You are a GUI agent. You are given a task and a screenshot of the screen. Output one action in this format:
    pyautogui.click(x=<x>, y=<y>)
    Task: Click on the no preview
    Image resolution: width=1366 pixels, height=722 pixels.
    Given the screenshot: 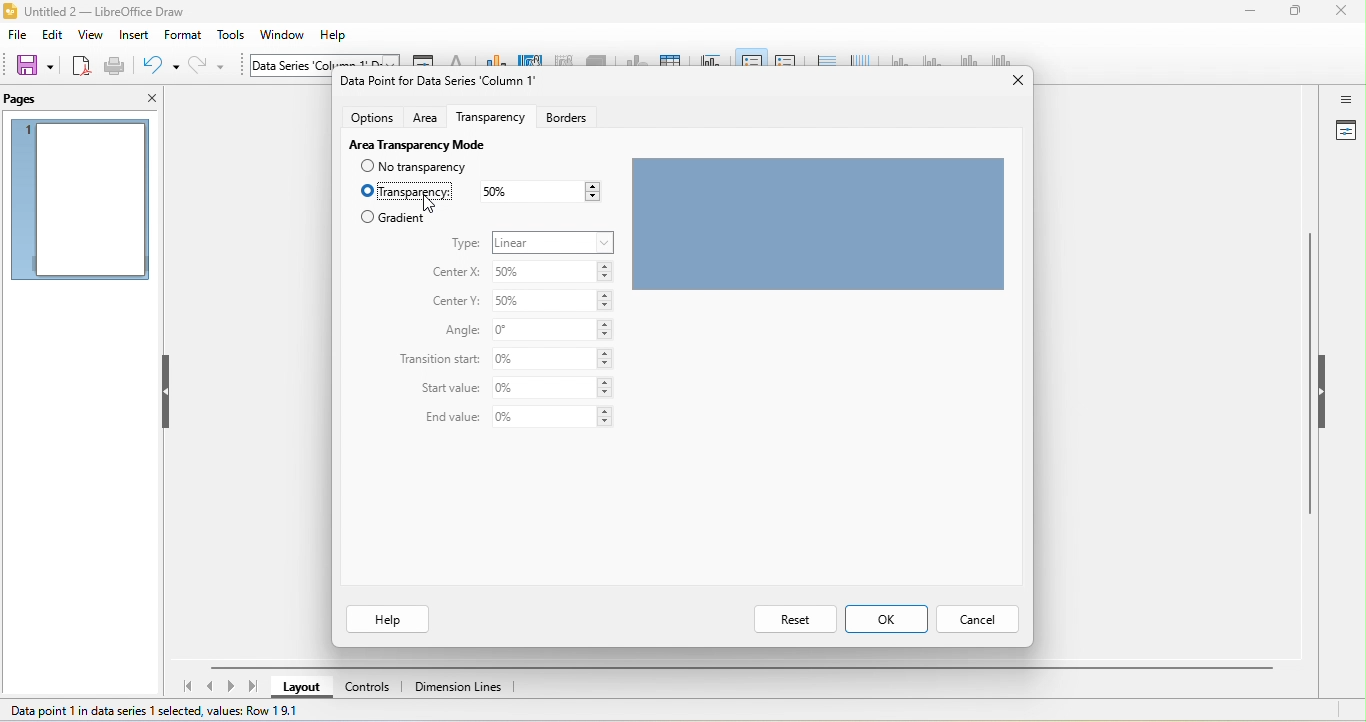 What is the action you would take?
    pyautogui.click(x=81, y=201)
    